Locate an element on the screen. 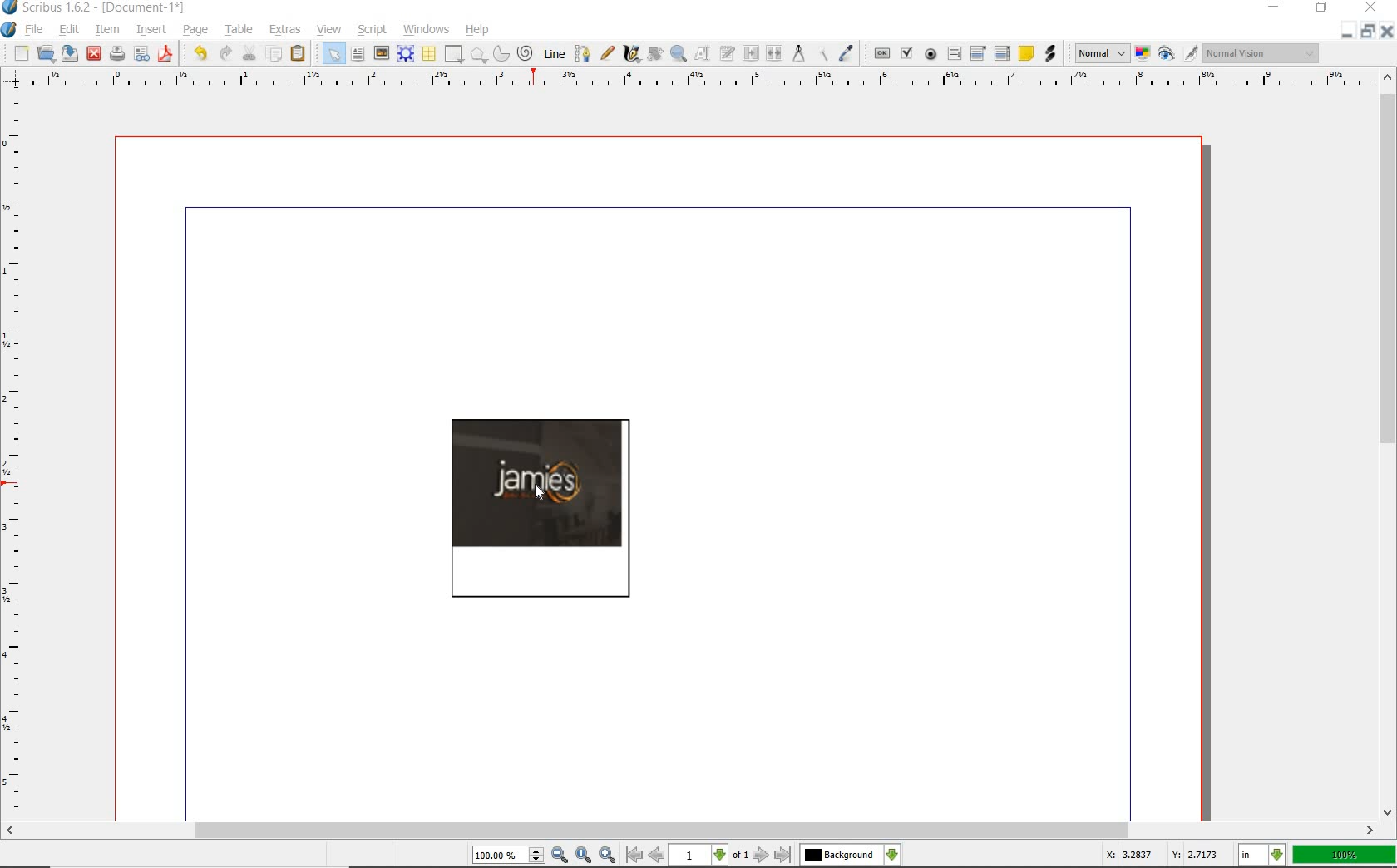 The width and height of the screenshot is (1397, 868). ARC is located at coordinates (501, 54).